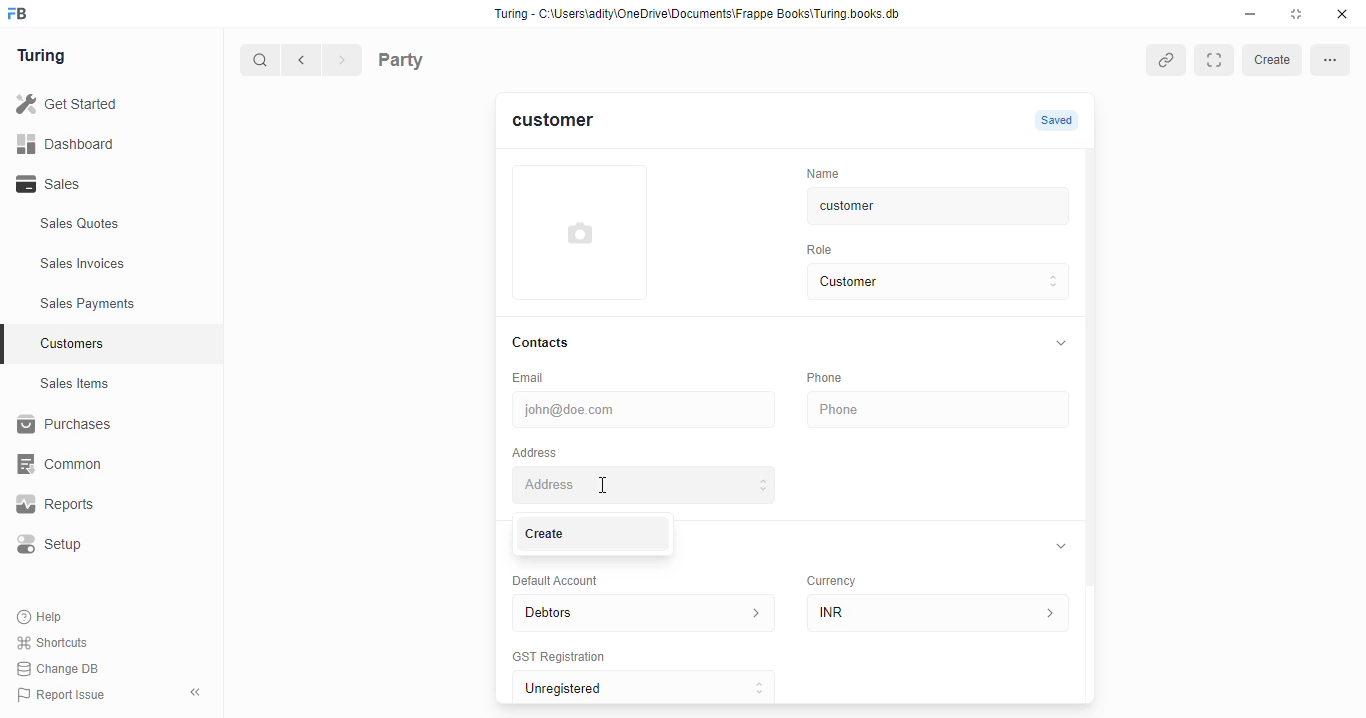 This screenshot has height=718, width=1366. What do you see at coordinates (821, 172) in the screenshot?
I see `‘Name` at bounding box center [821, 172].